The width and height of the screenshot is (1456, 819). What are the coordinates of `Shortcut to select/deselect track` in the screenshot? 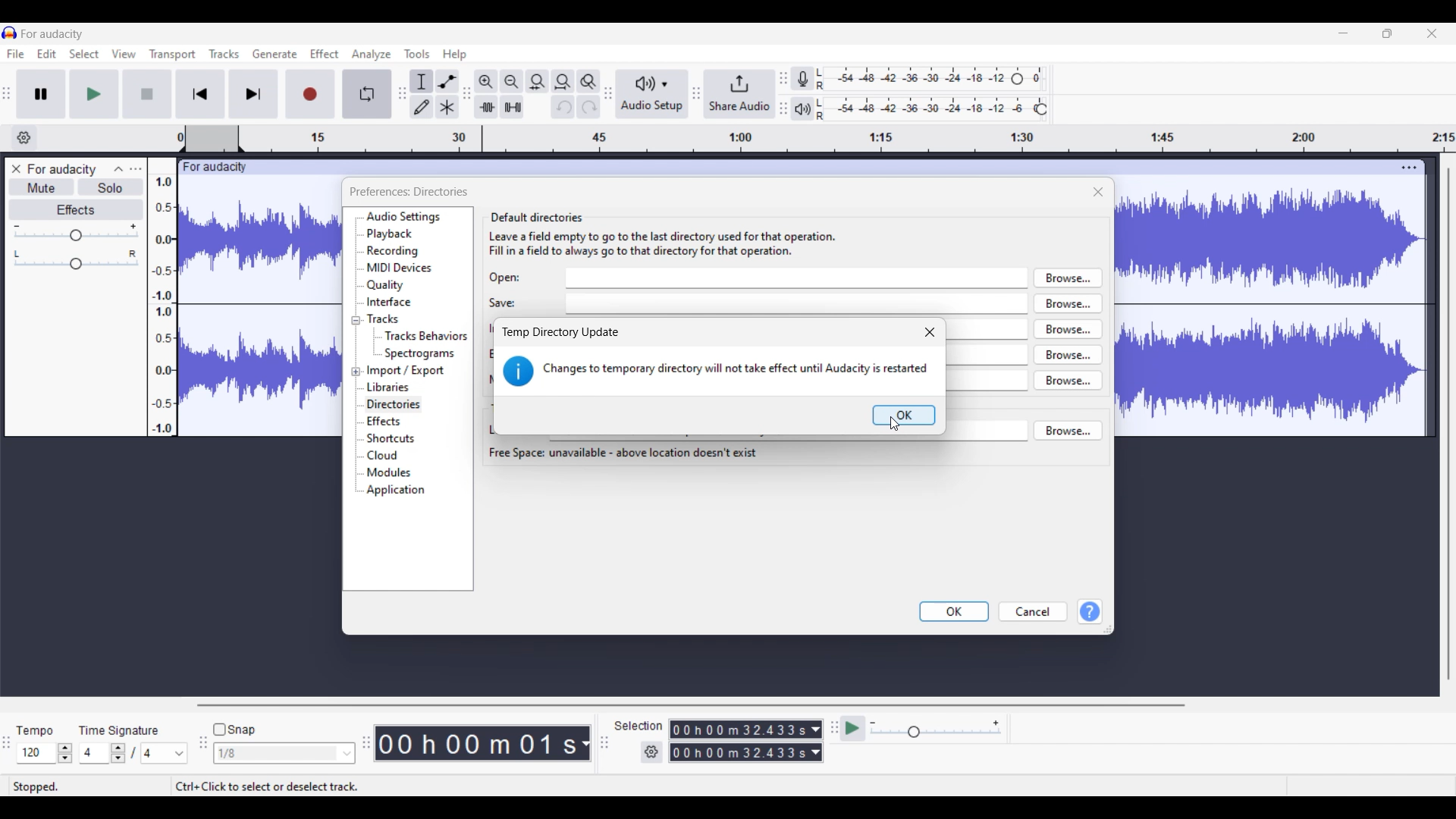 It's located at (267, 786).